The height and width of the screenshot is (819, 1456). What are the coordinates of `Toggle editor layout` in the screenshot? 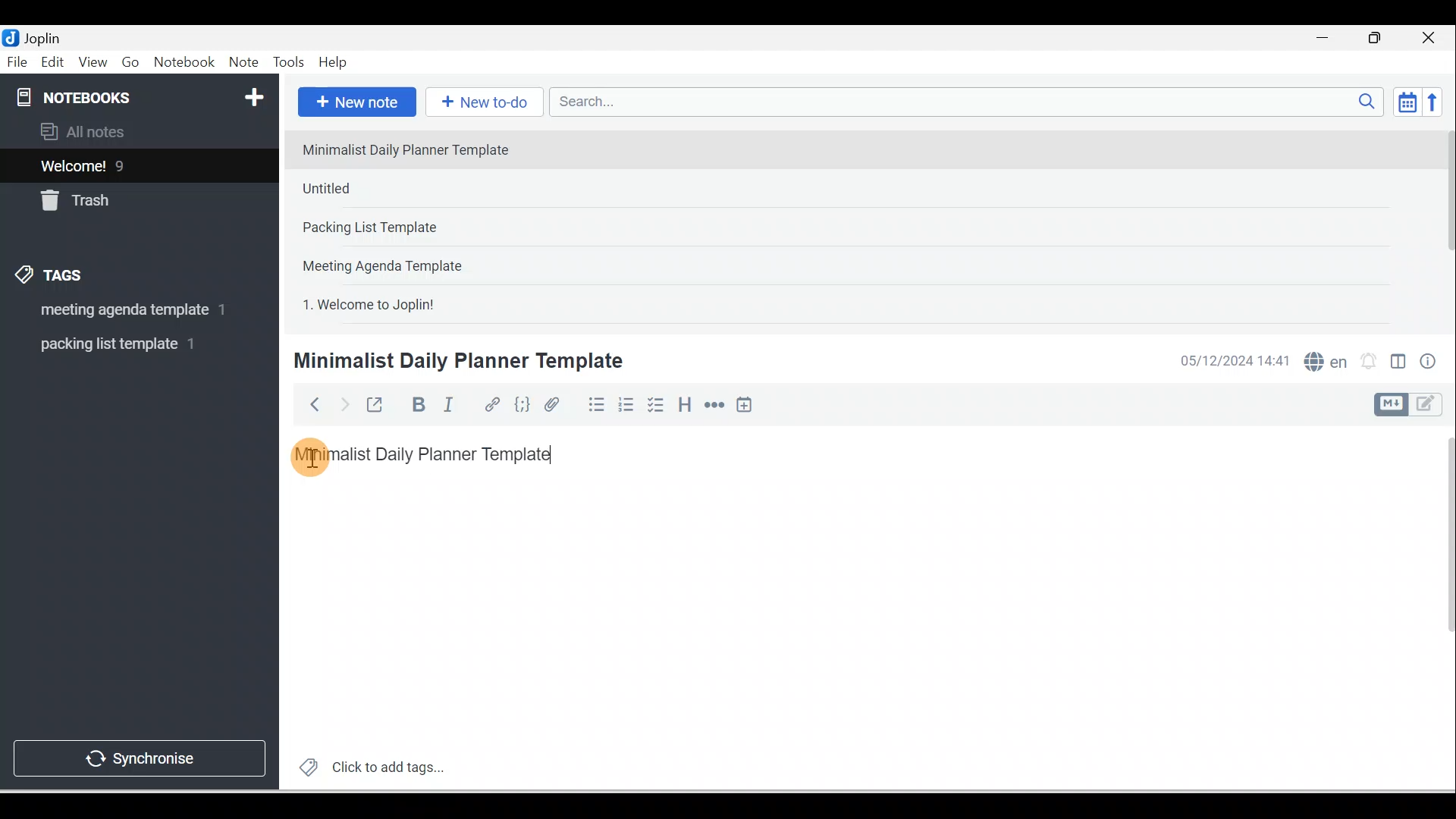 It's located at (1414, 405).